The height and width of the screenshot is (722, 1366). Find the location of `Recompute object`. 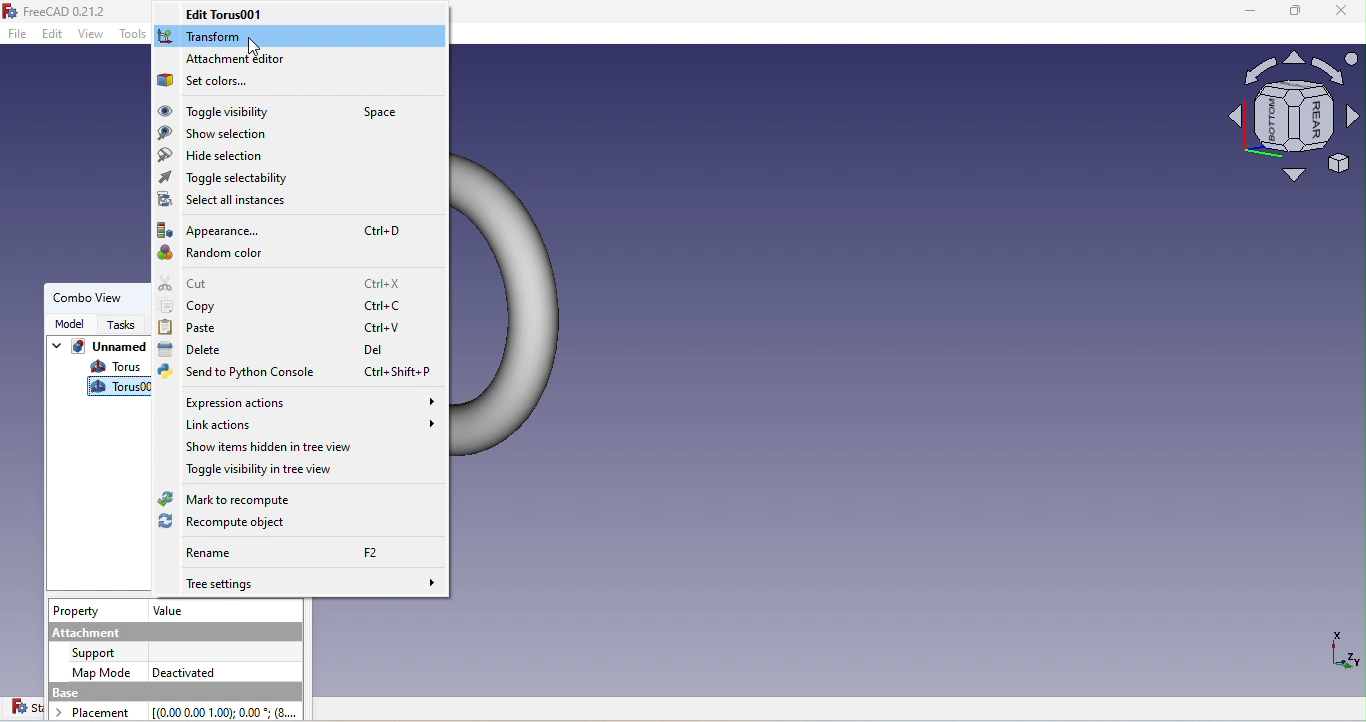

Recompute object is located at coordinates (239, 521).